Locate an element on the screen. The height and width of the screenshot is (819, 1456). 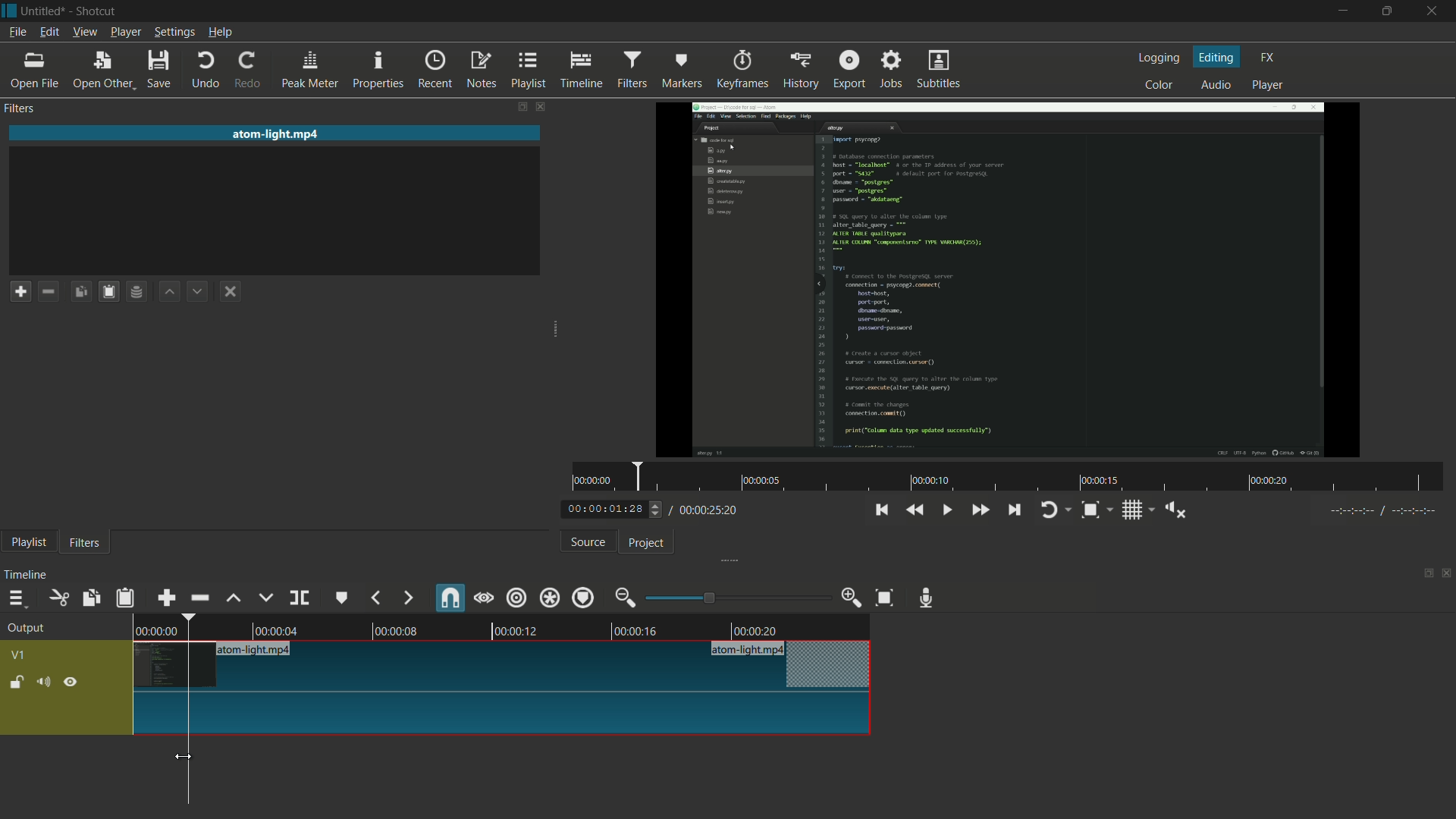
scrub while dragging is located at coordinates (484, 598).